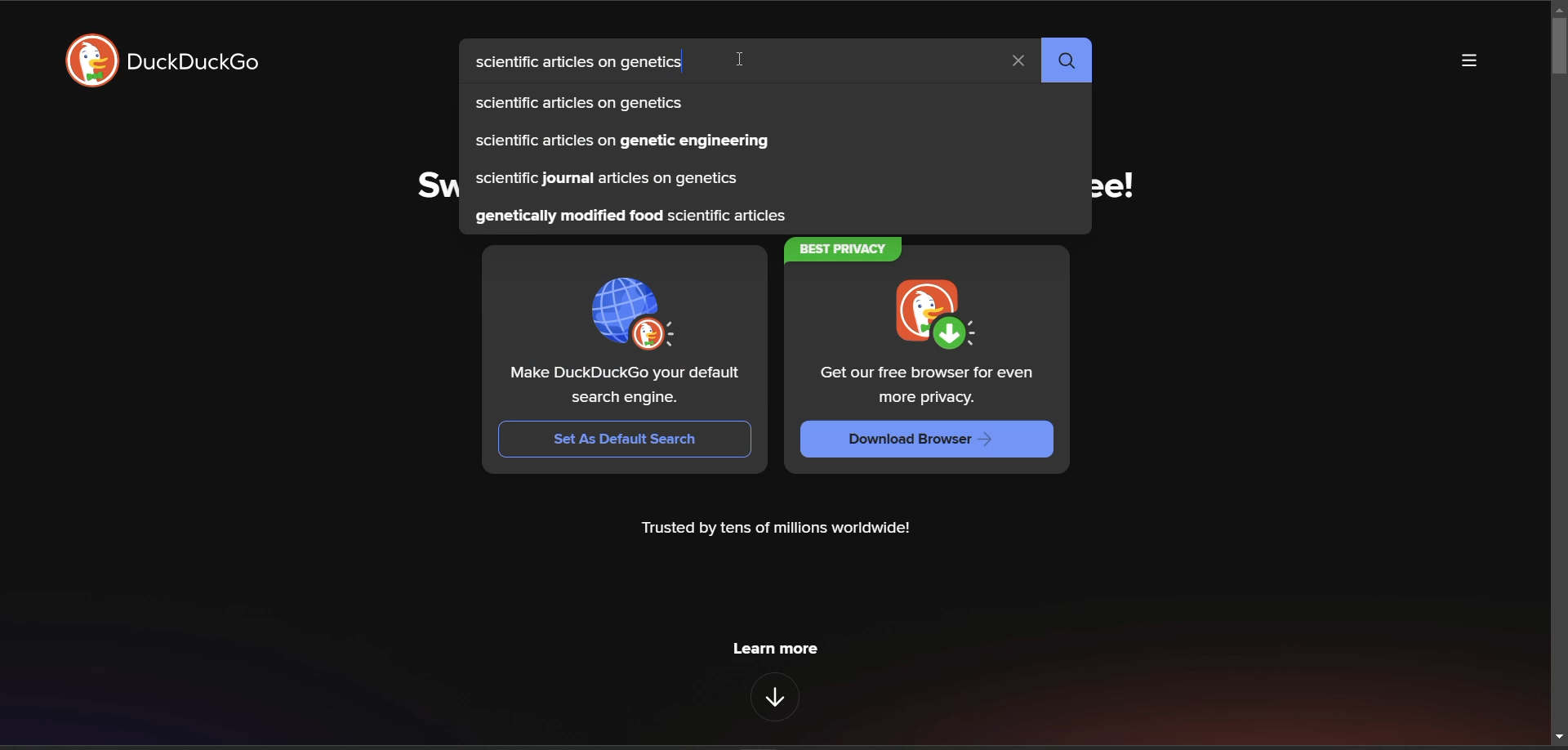  Describe the element at coordinates (742, 61) in the screenshot. I see `cursor` at that location.